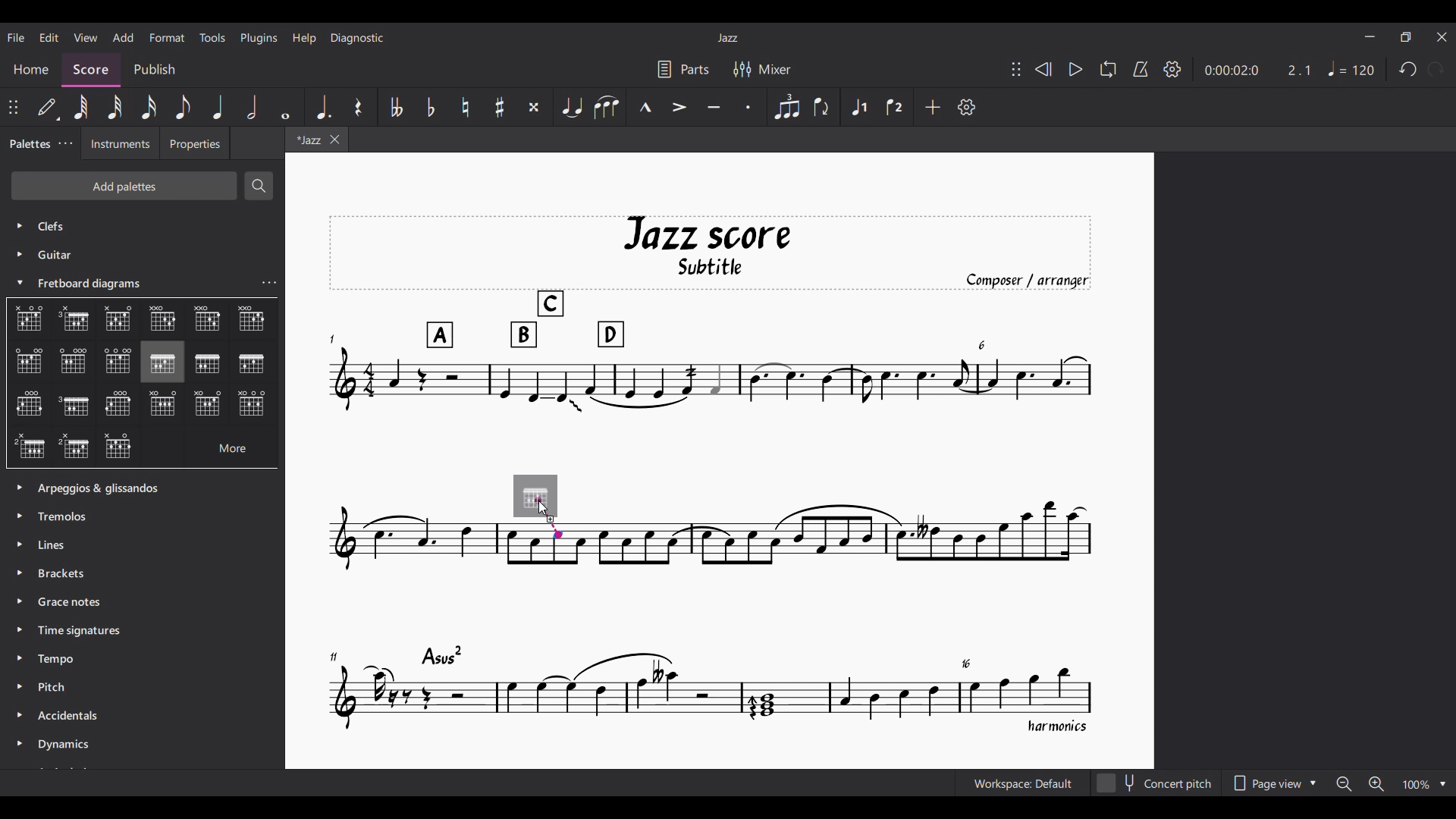 This screenshot has width=1456, height=819. What do you see at coordinates (155, 67) in the screenshot?
I see `Publish` at bounding box center [155, 67].